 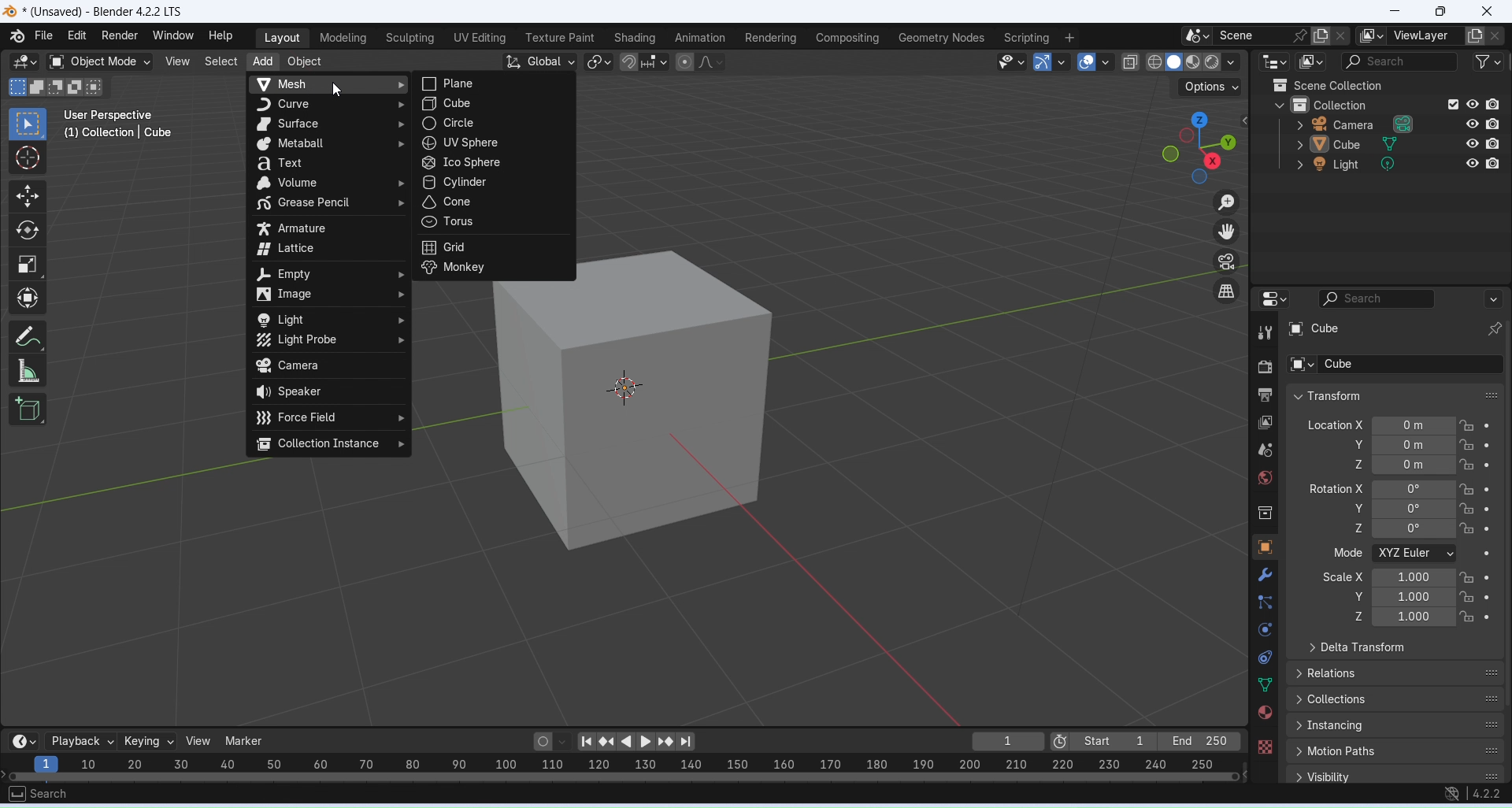 I want to click on Play animation, so click(x=624, y=742).